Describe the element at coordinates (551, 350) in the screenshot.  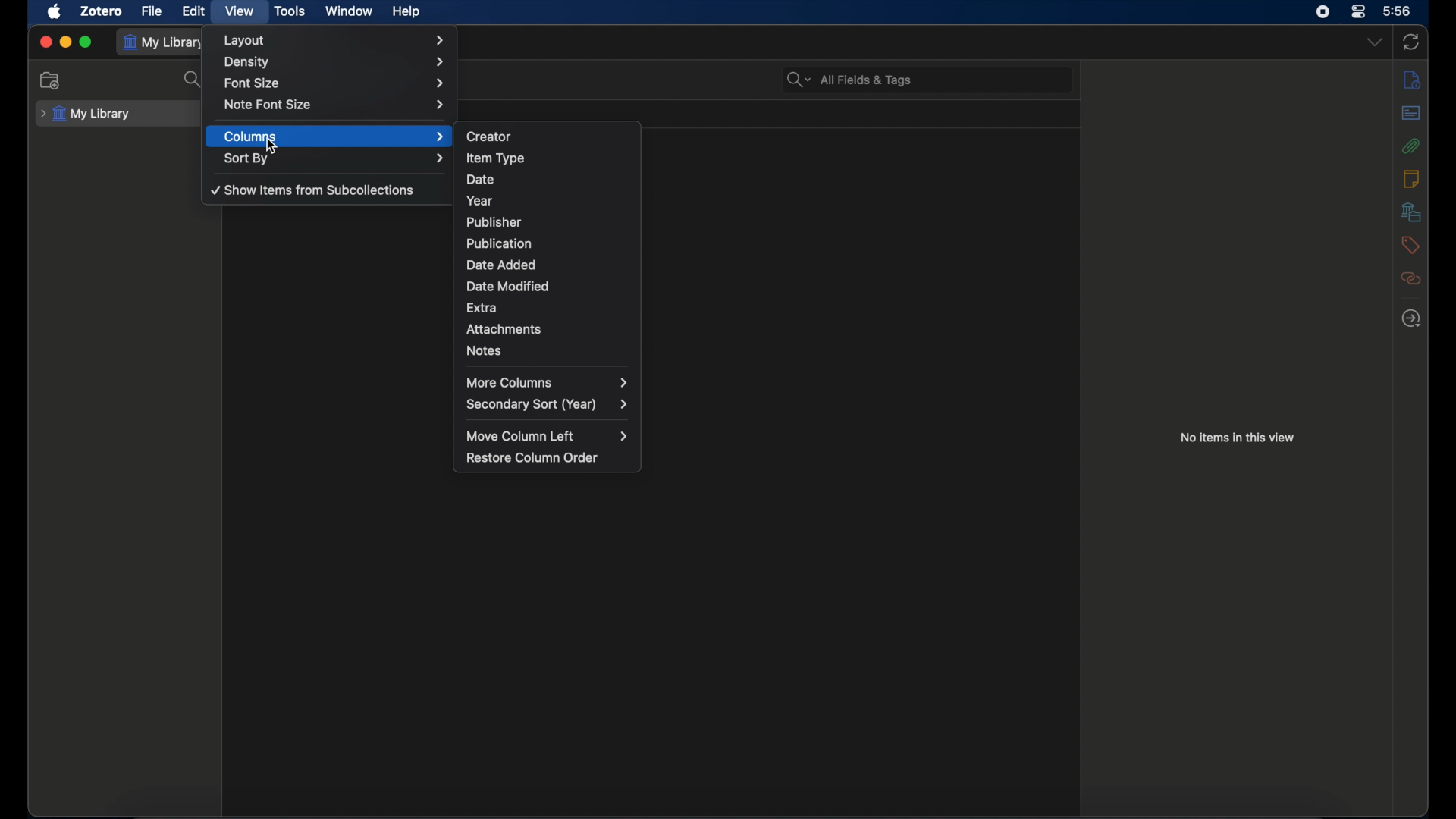
I see `notes` at that location.